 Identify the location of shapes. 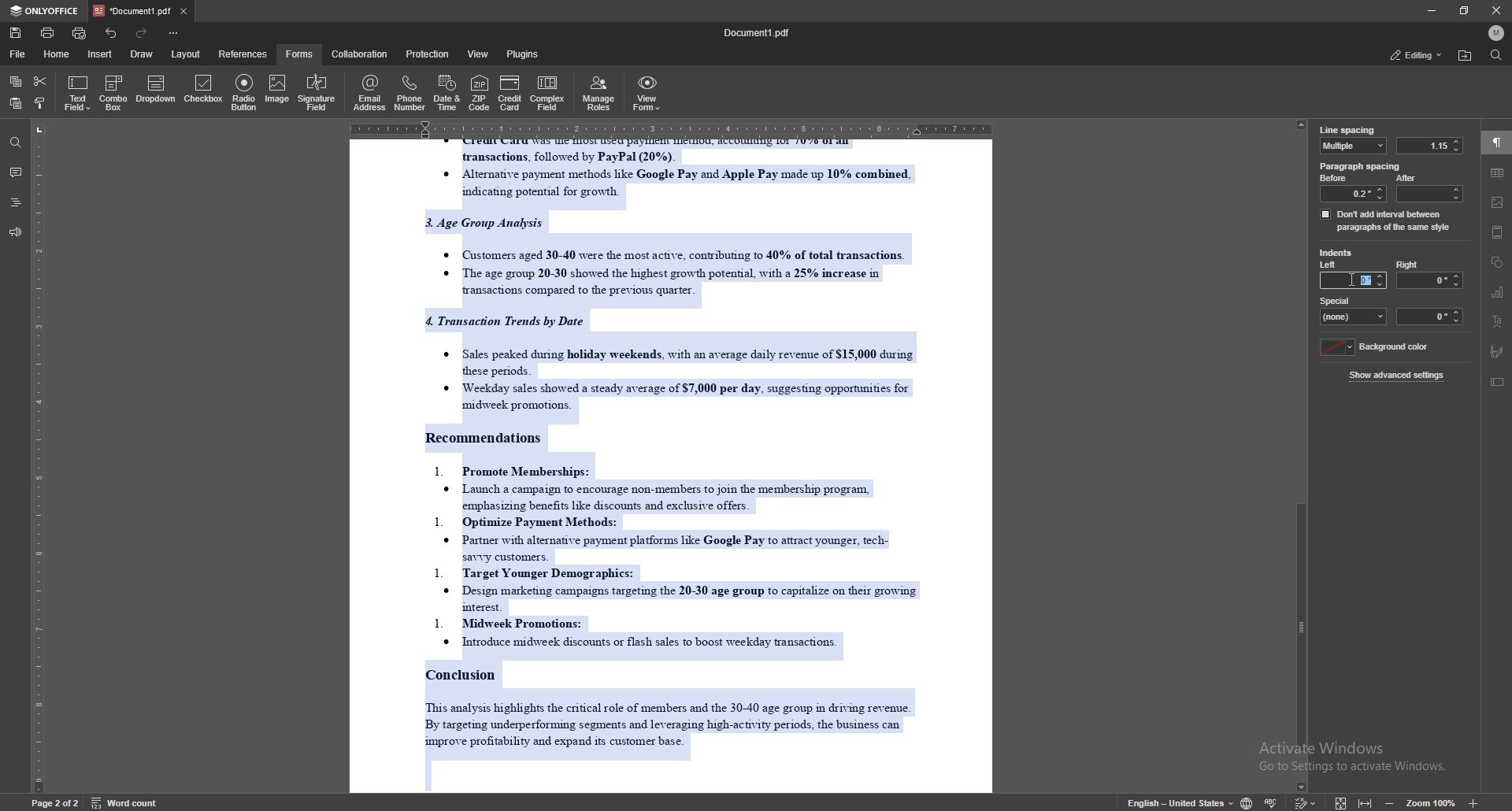
(1498, 262).